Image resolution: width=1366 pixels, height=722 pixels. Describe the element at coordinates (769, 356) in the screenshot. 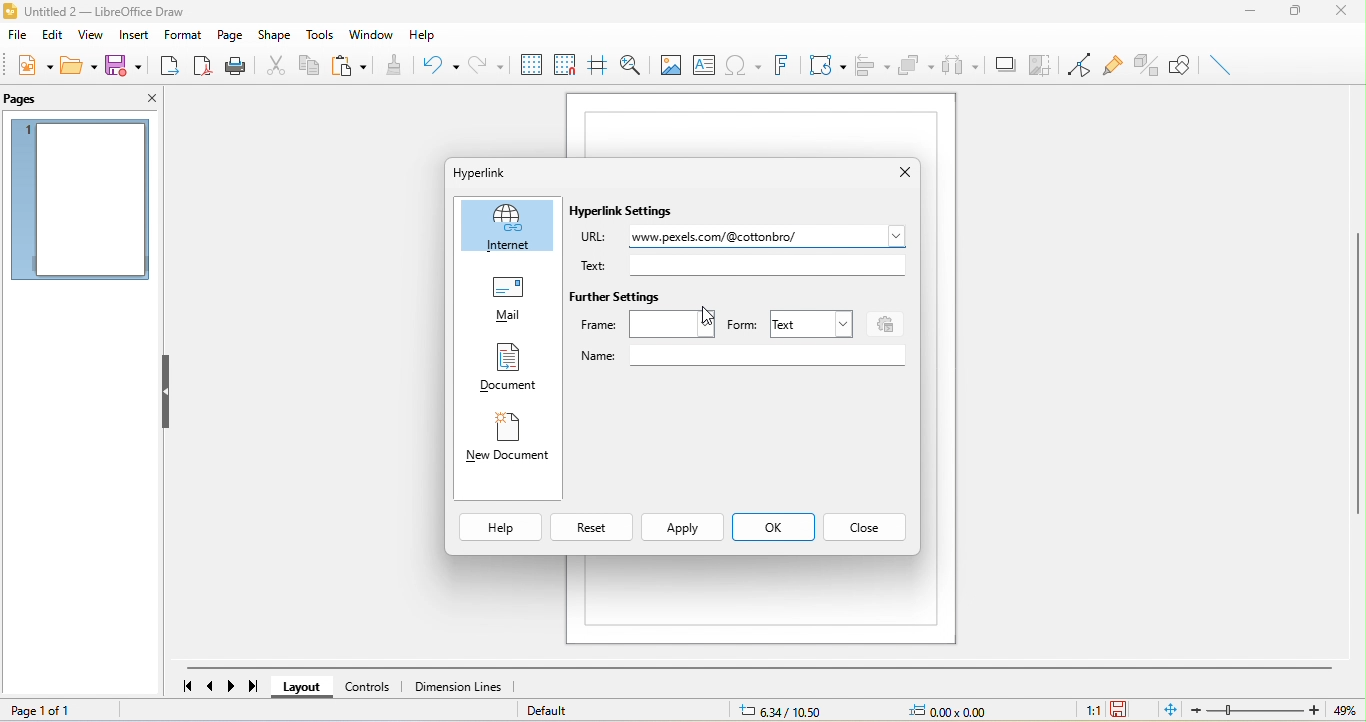

I see `Text box` at that location.